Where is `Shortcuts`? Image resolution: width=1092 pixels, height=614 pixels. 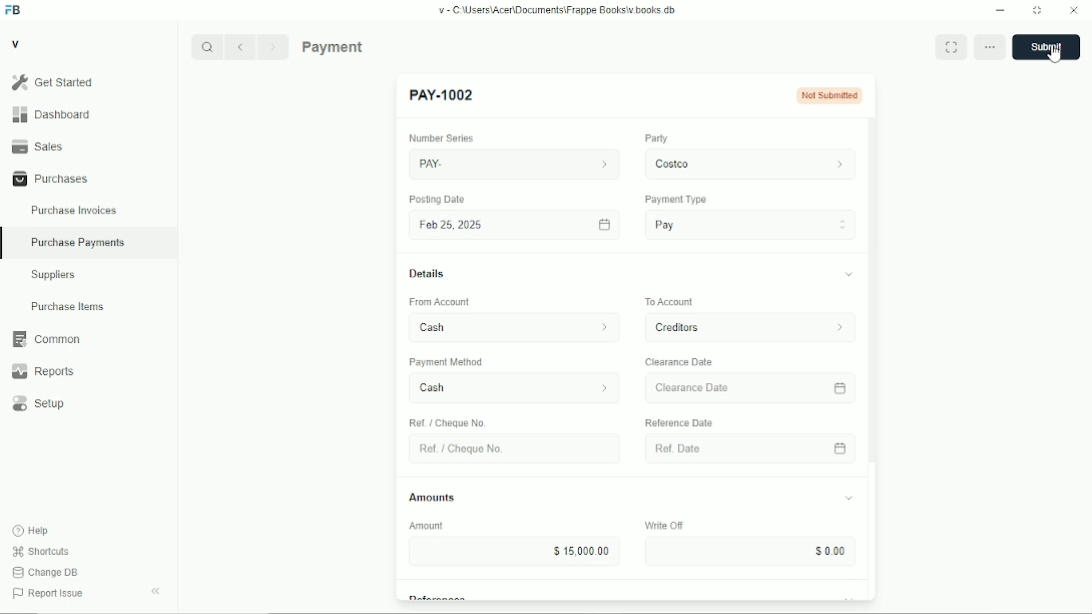 Shortcuts is located at coordinates (41, 552).